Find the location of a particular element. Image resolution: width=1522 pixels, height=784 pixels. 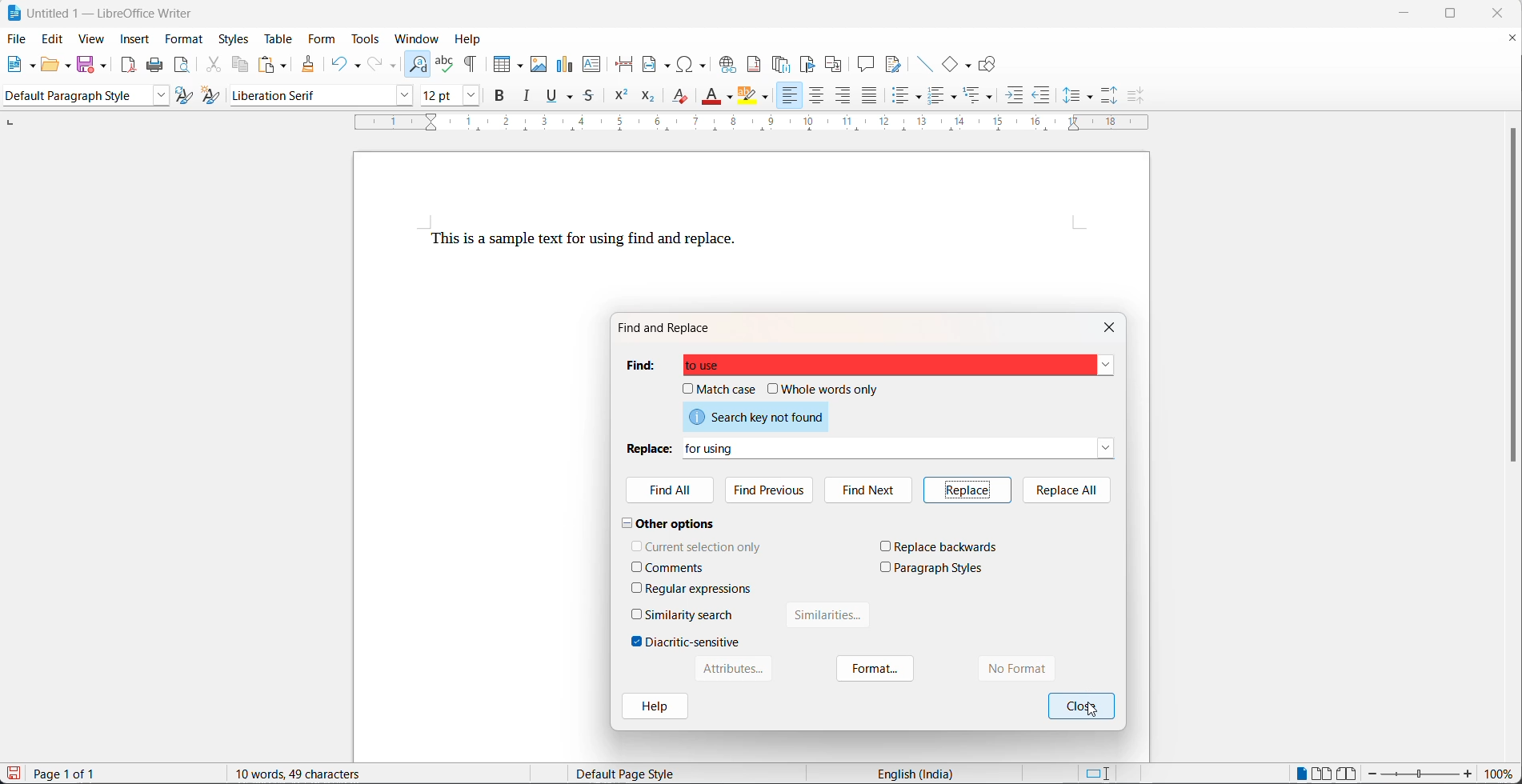

ok is located at coordinates (1084, 708).